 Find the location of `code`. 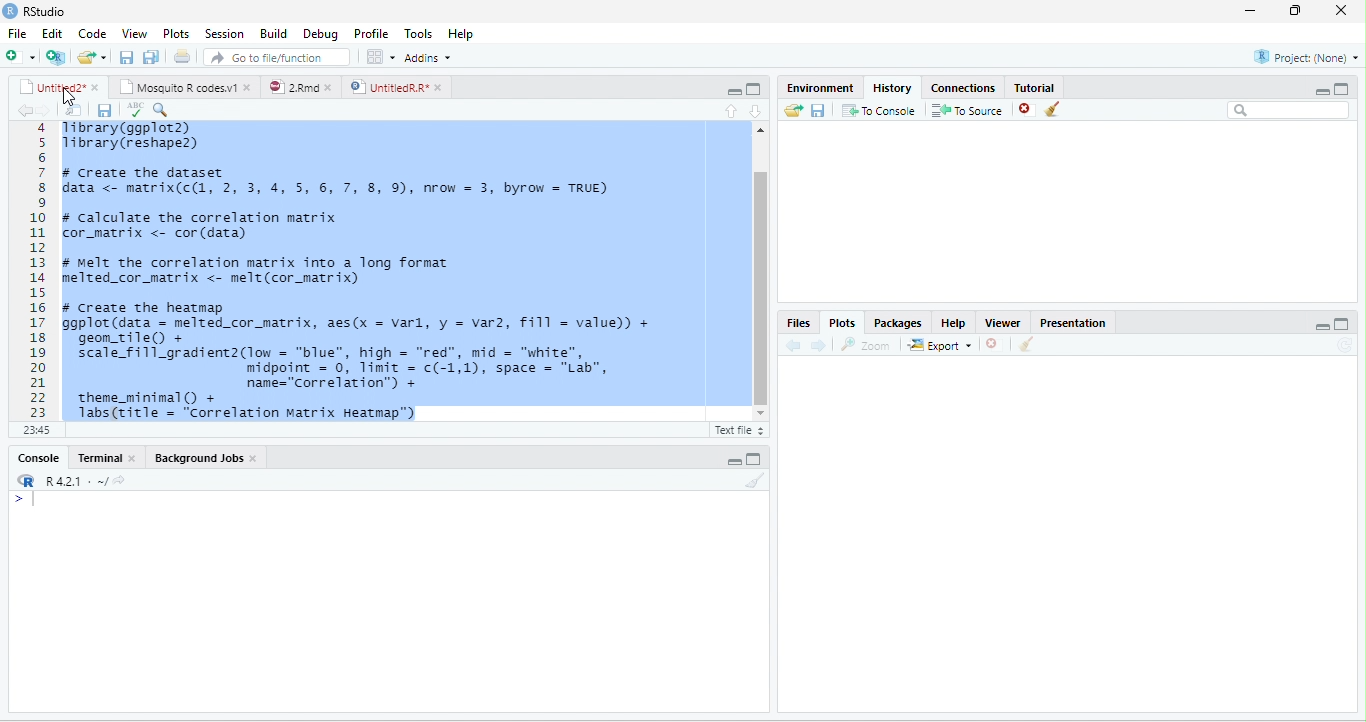

code is located at coordinates (92, 34).